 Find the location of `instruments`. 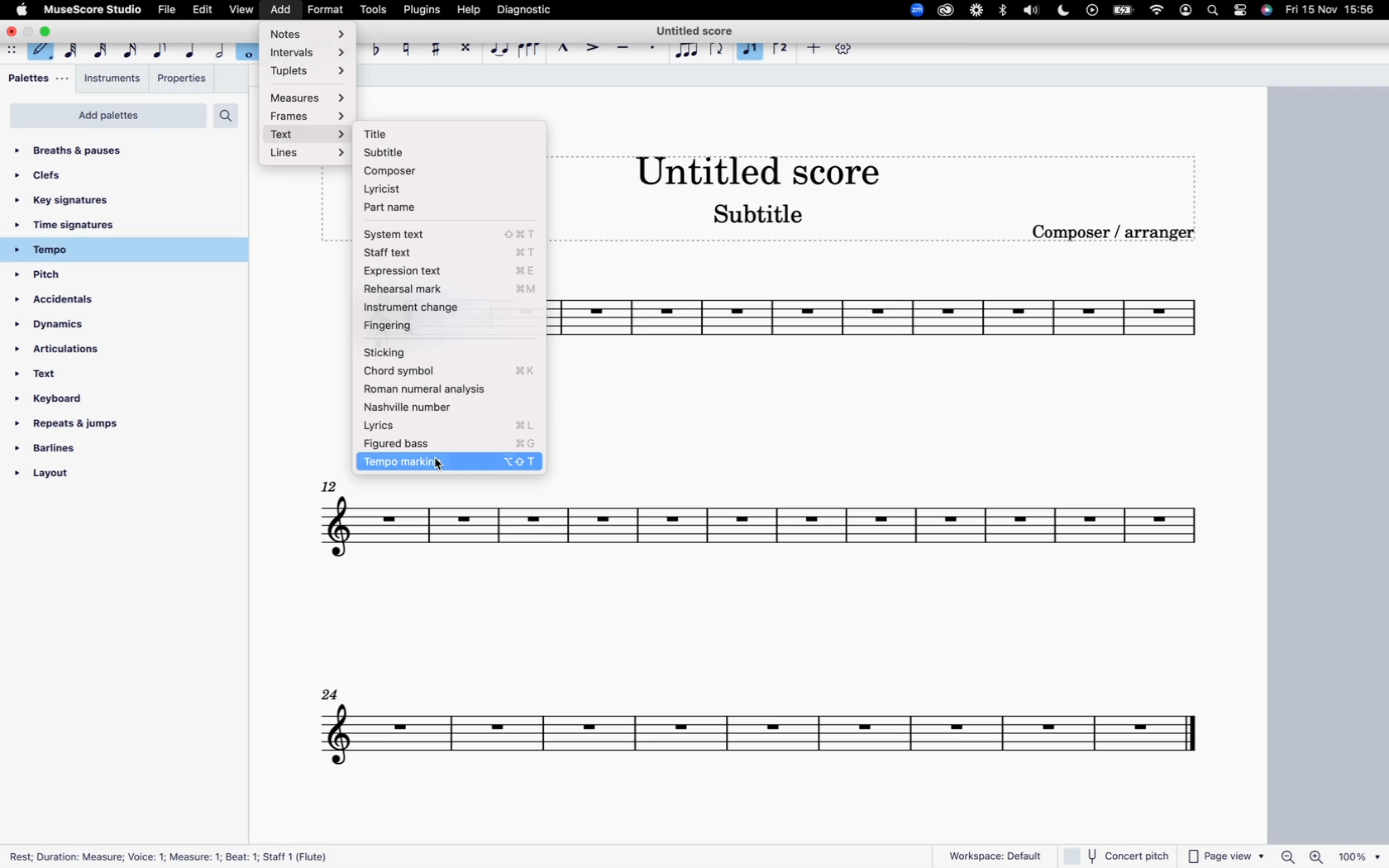

instruments is located at coordinates (113, 80).